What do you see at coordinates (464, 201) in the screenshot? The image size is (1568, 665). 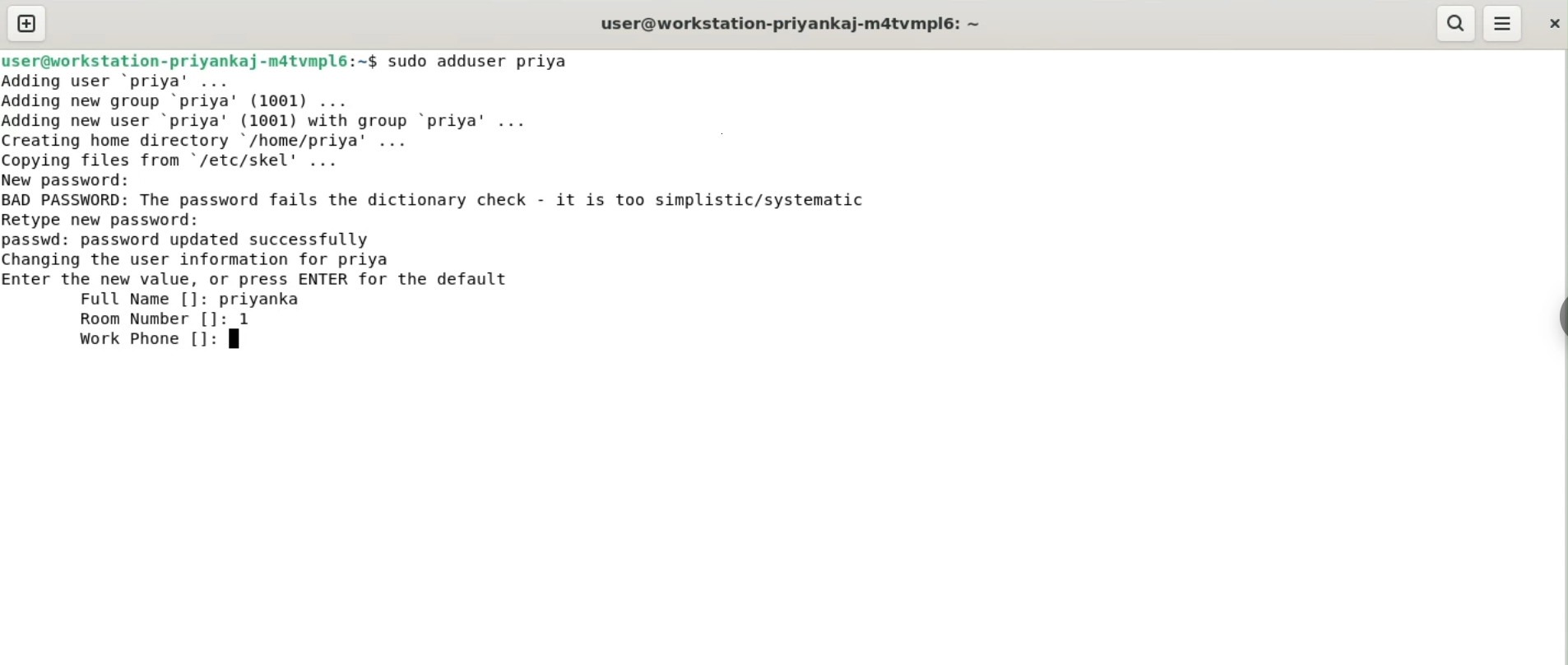 I see `BAD PASSWORD: The password fails the dictionary check. it is too simplistic/systematic` at bounding box center [464, 201].